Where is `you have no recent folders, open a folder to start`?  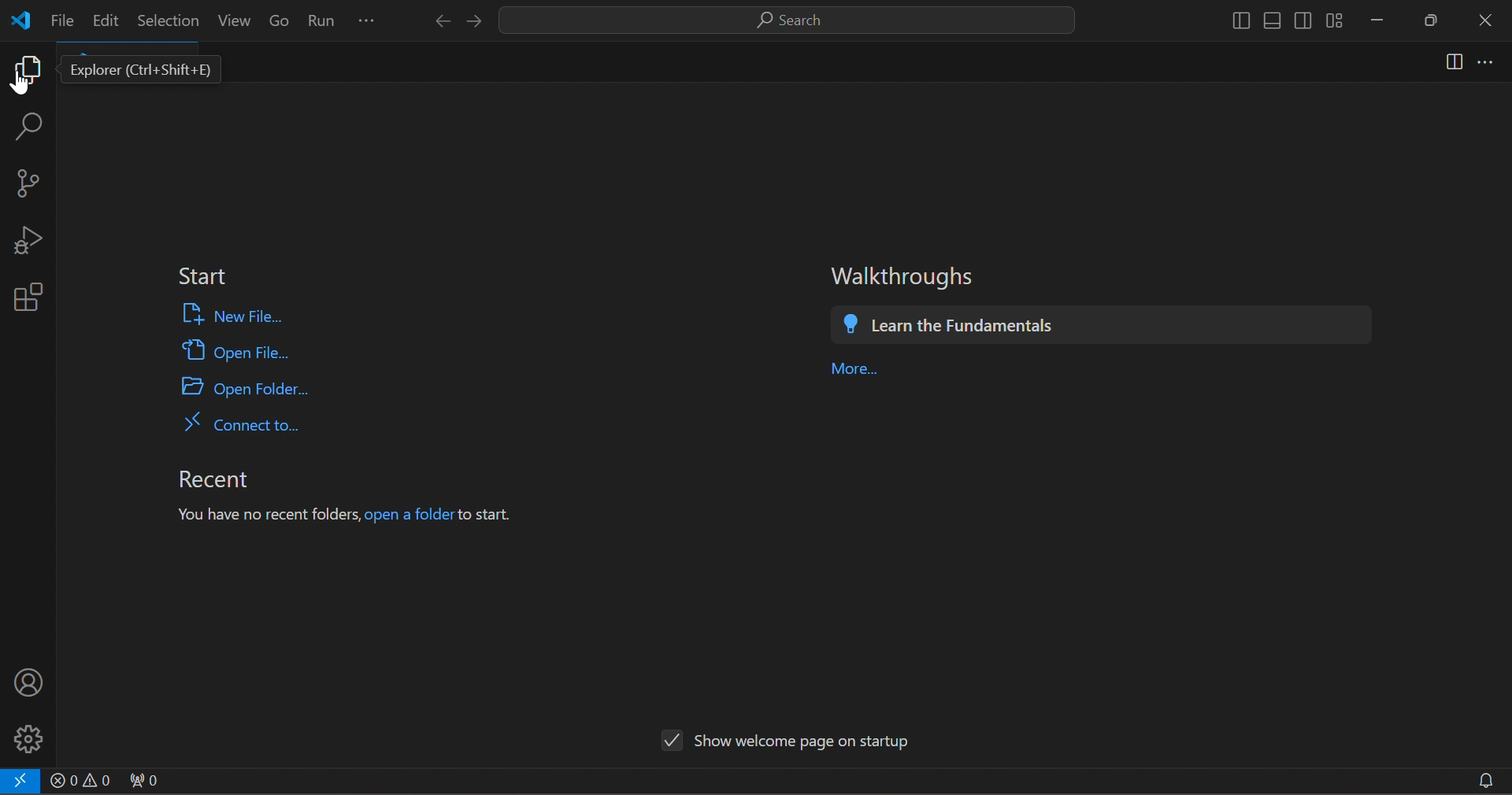 you have no recent folders, open a folder to start is located at coordinates (346, 513).